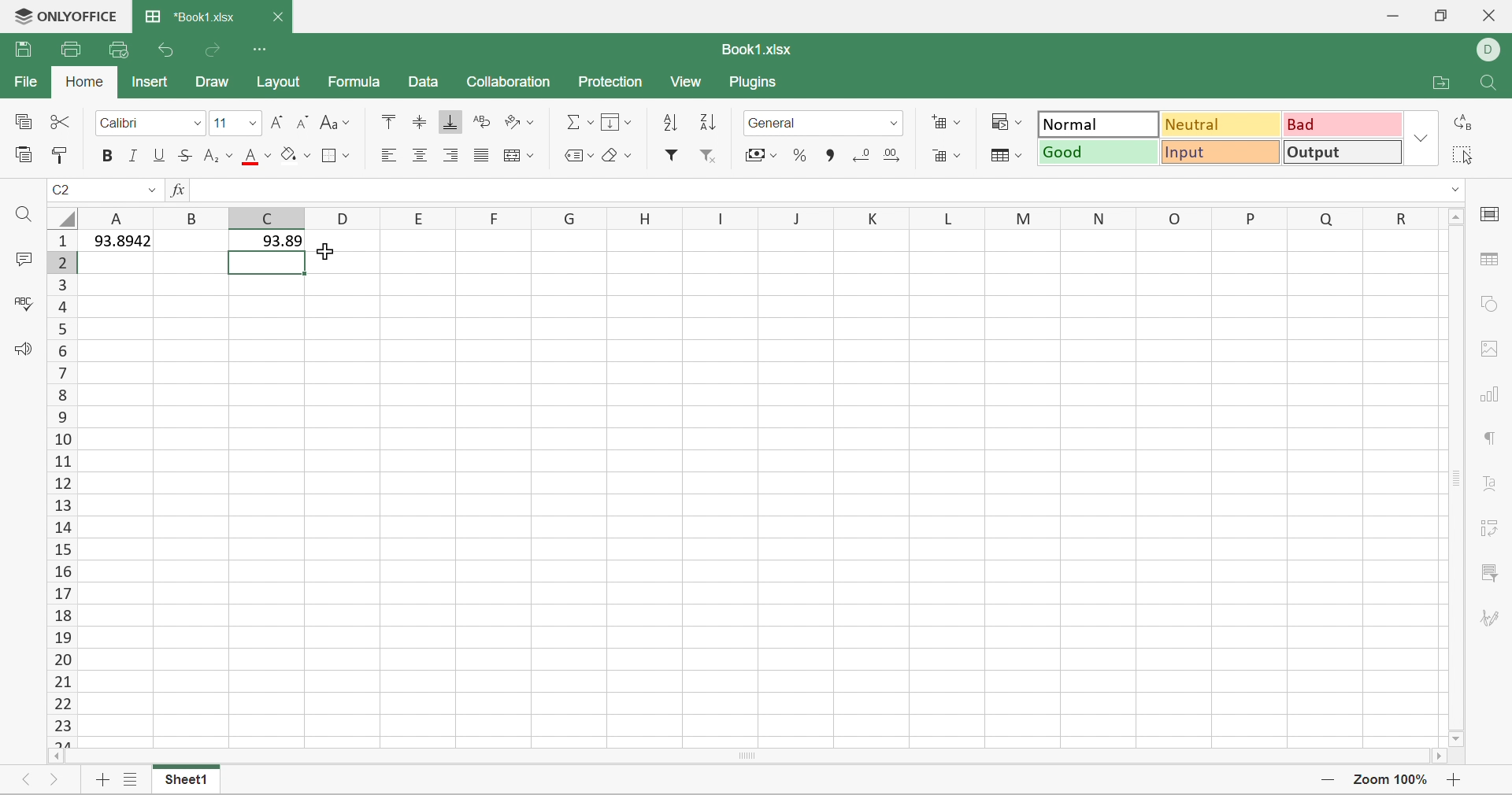 The height and width of the screenshot is (795, 1512). Describe the element at coordinates (1492, 438) in the screenshot. I see `paragraph settings` at that location.